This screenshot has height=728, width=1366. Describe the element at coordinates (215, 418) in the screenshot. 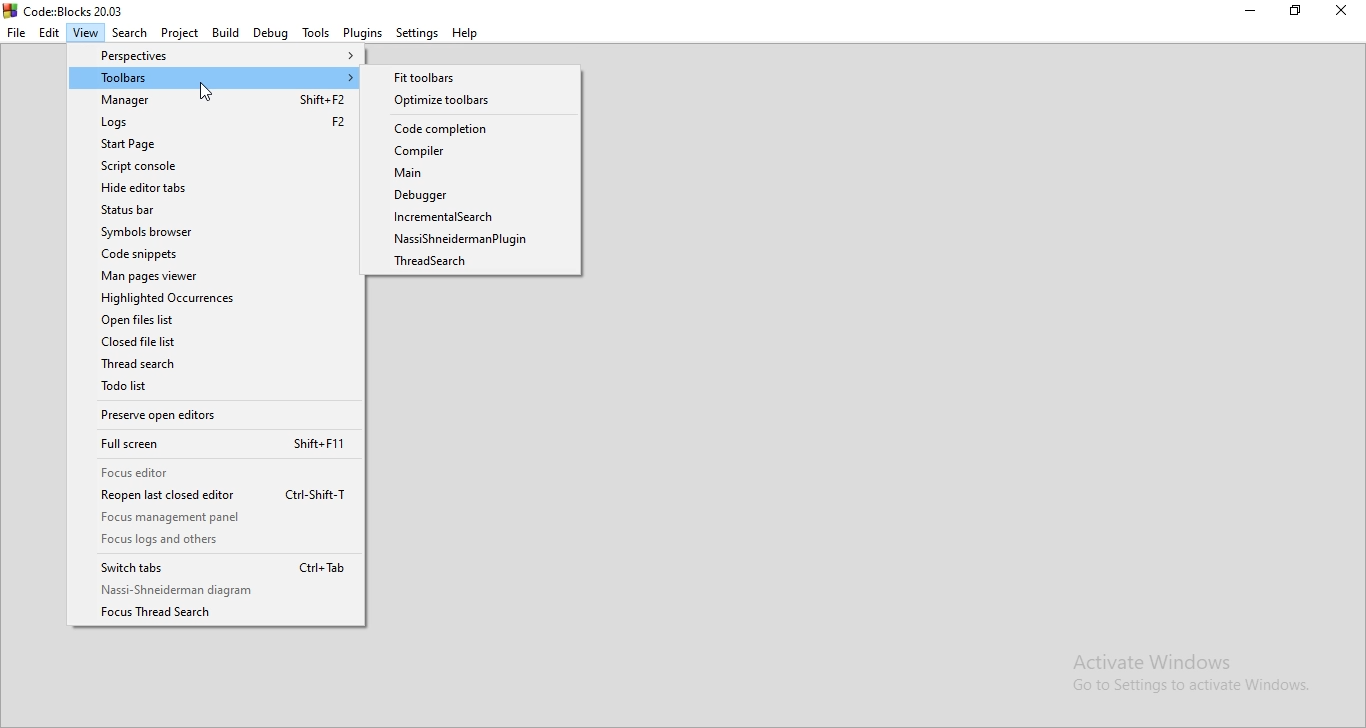

I see `Preserve open editors` at that location.